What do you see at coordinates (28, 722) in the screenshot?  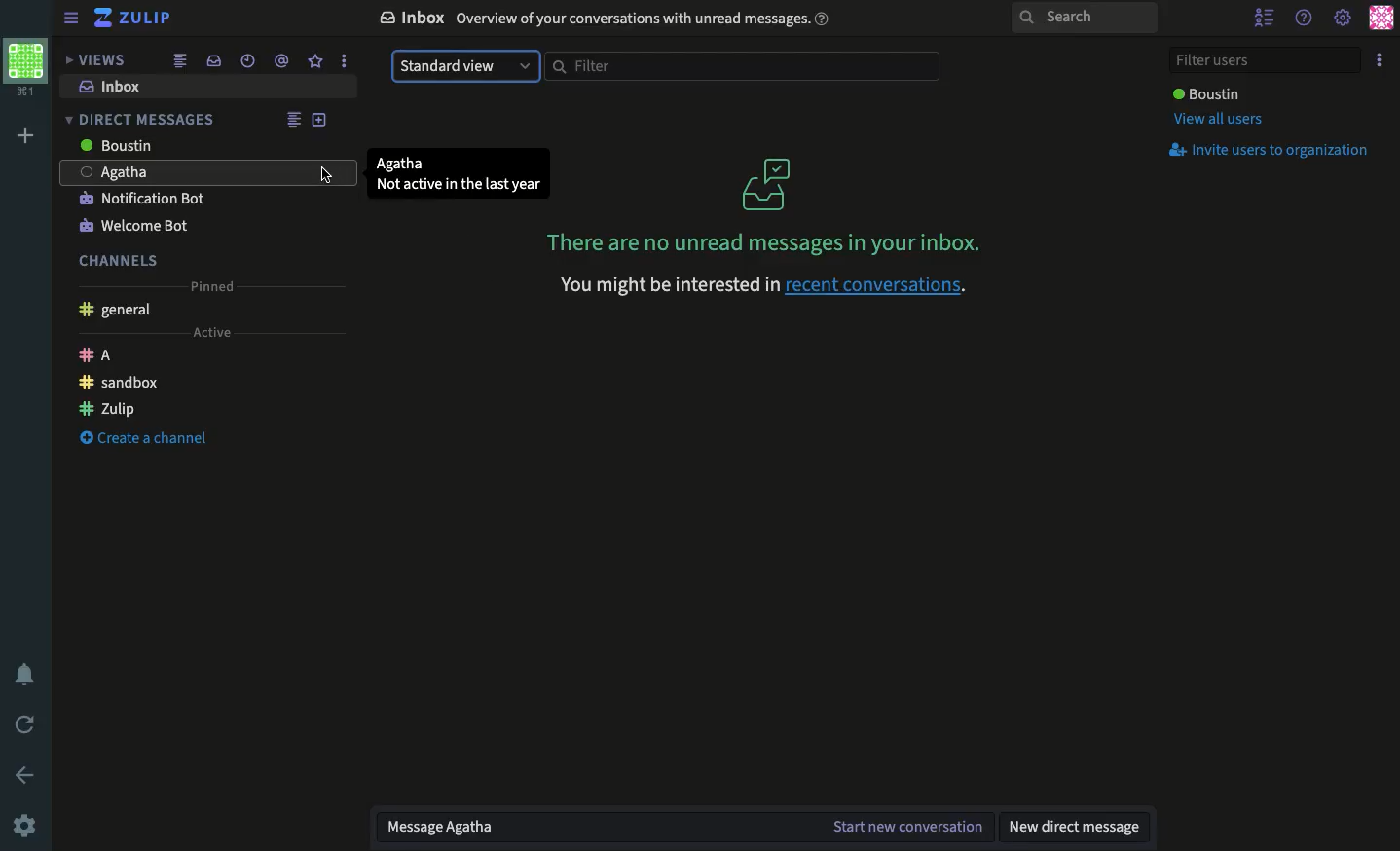 I see `Refresh` at bounding box center [28, 722].